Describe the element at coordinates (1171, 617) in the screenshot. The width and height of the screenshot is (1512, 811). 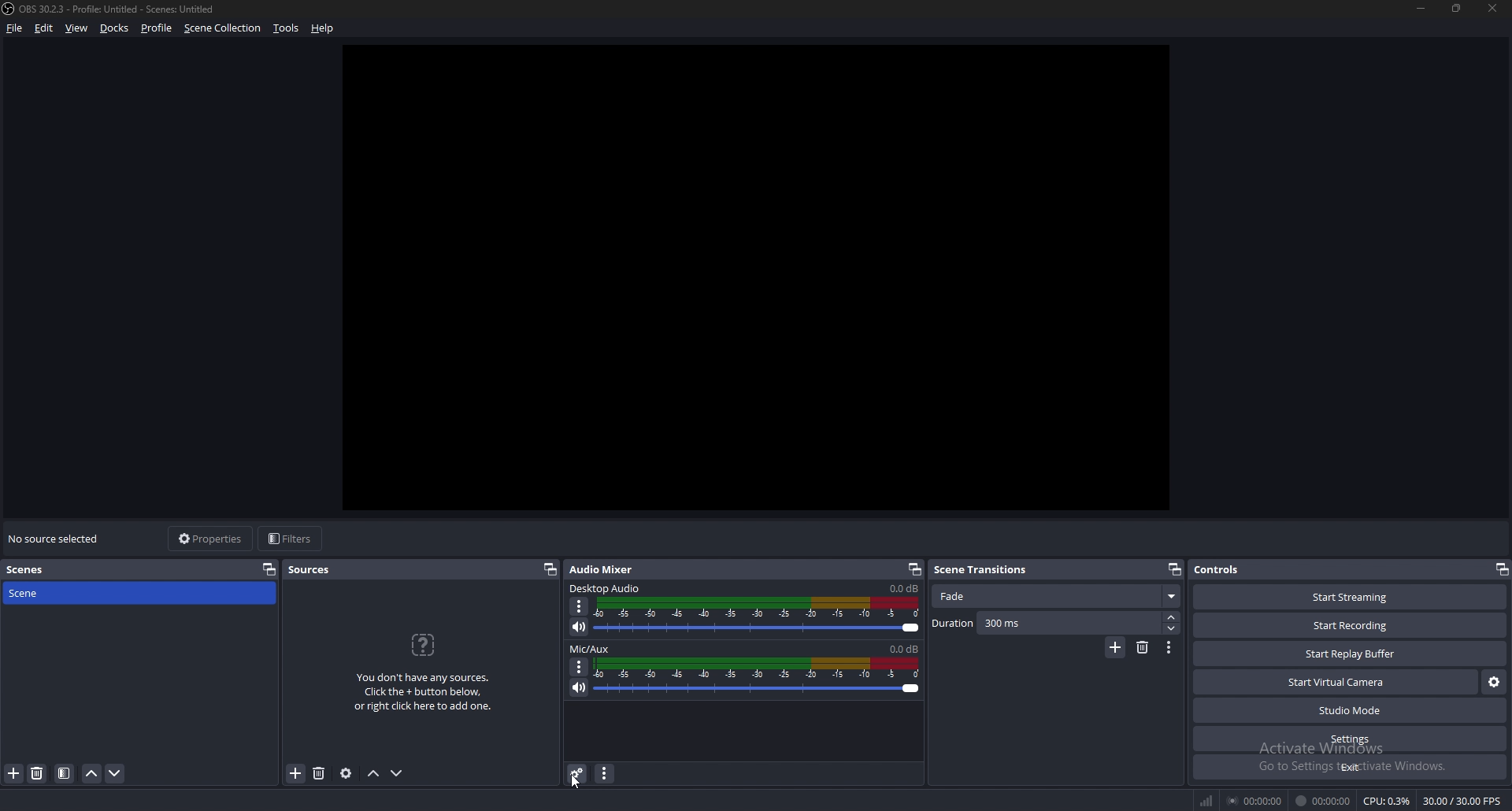
I see `increase duration` at that location.